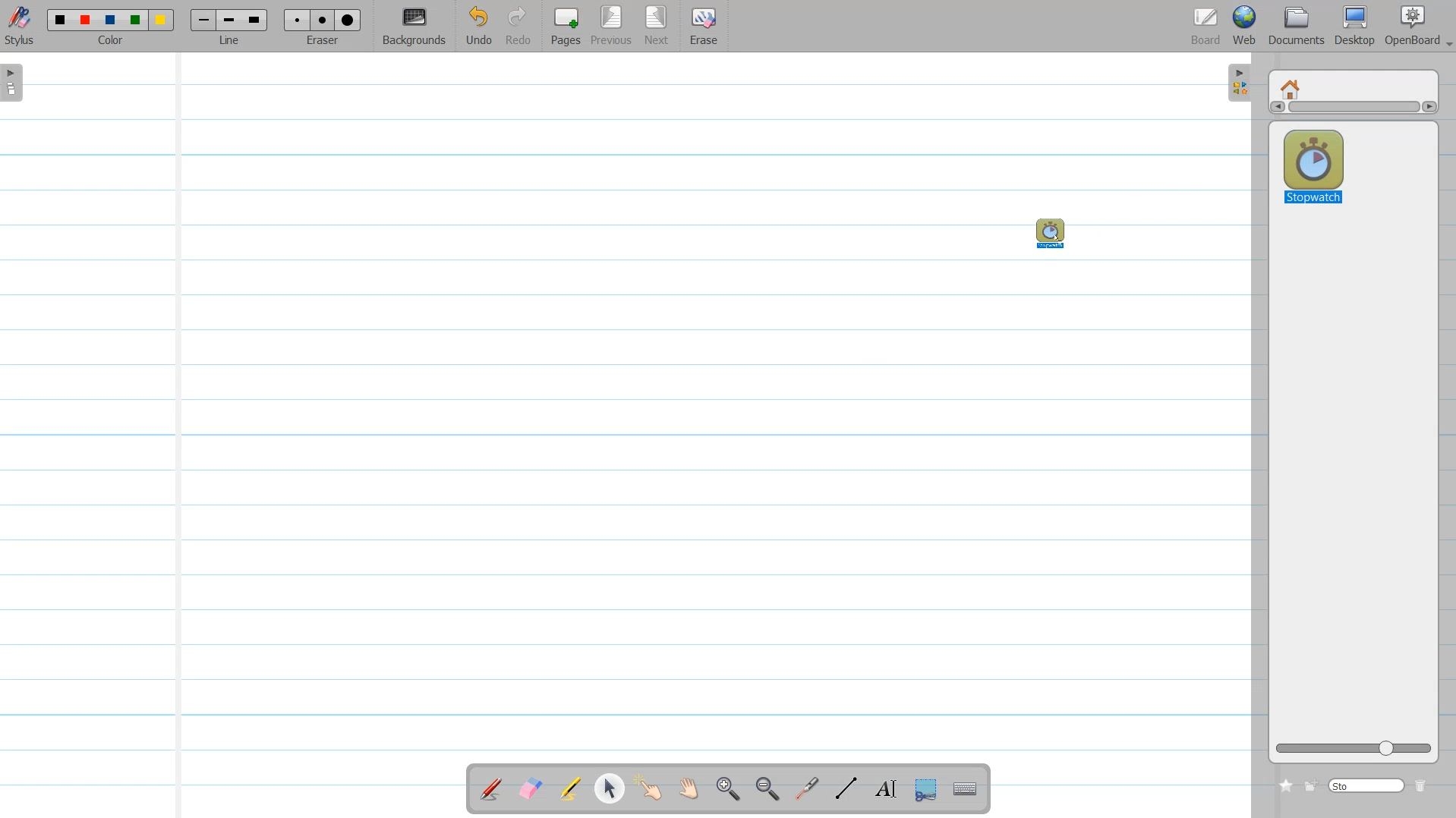 The width and height of the screenshot is (1456, 818). I want to click on Home window, so click(1292, 87).